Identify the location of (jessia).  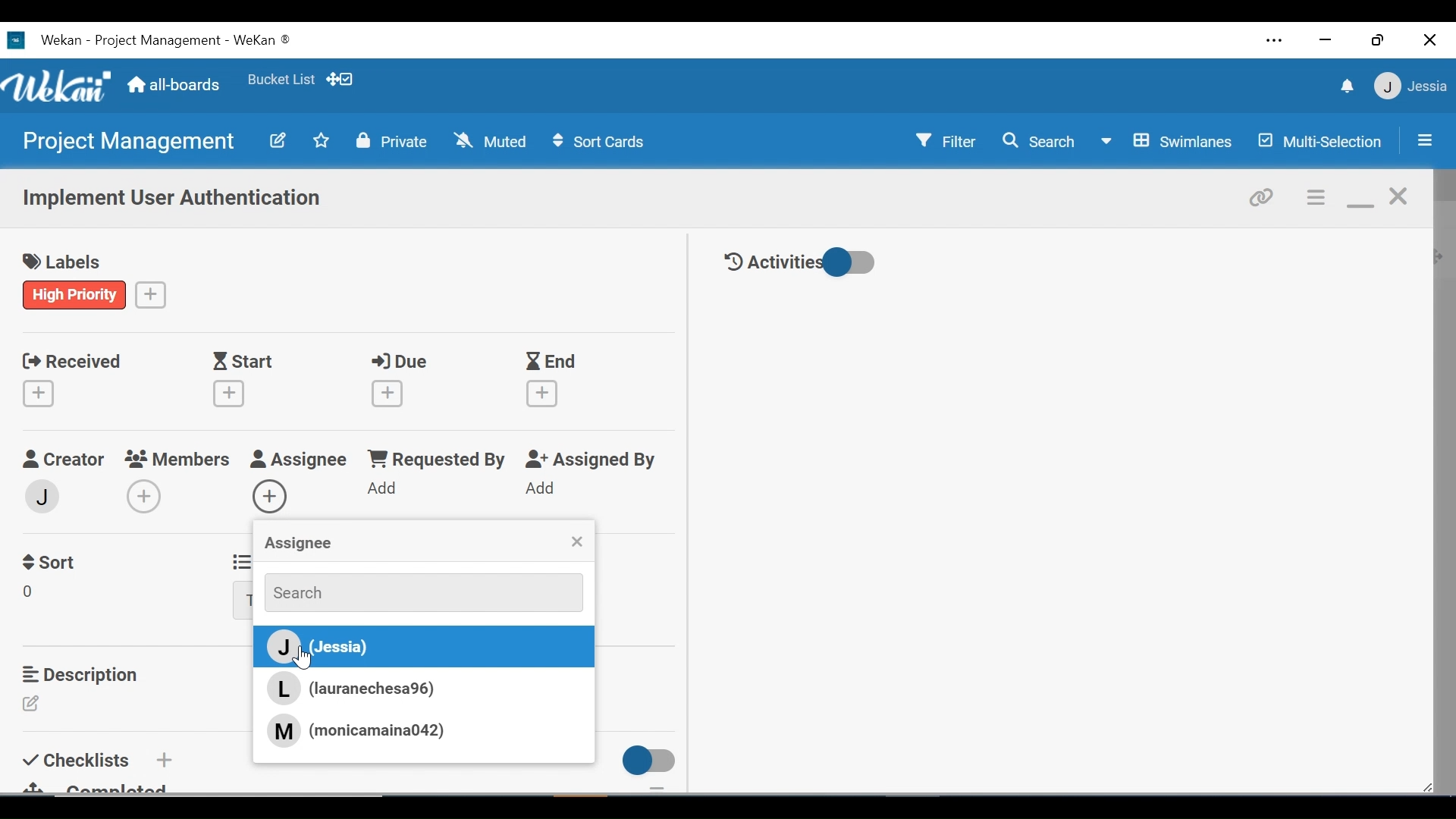
(420, 648).